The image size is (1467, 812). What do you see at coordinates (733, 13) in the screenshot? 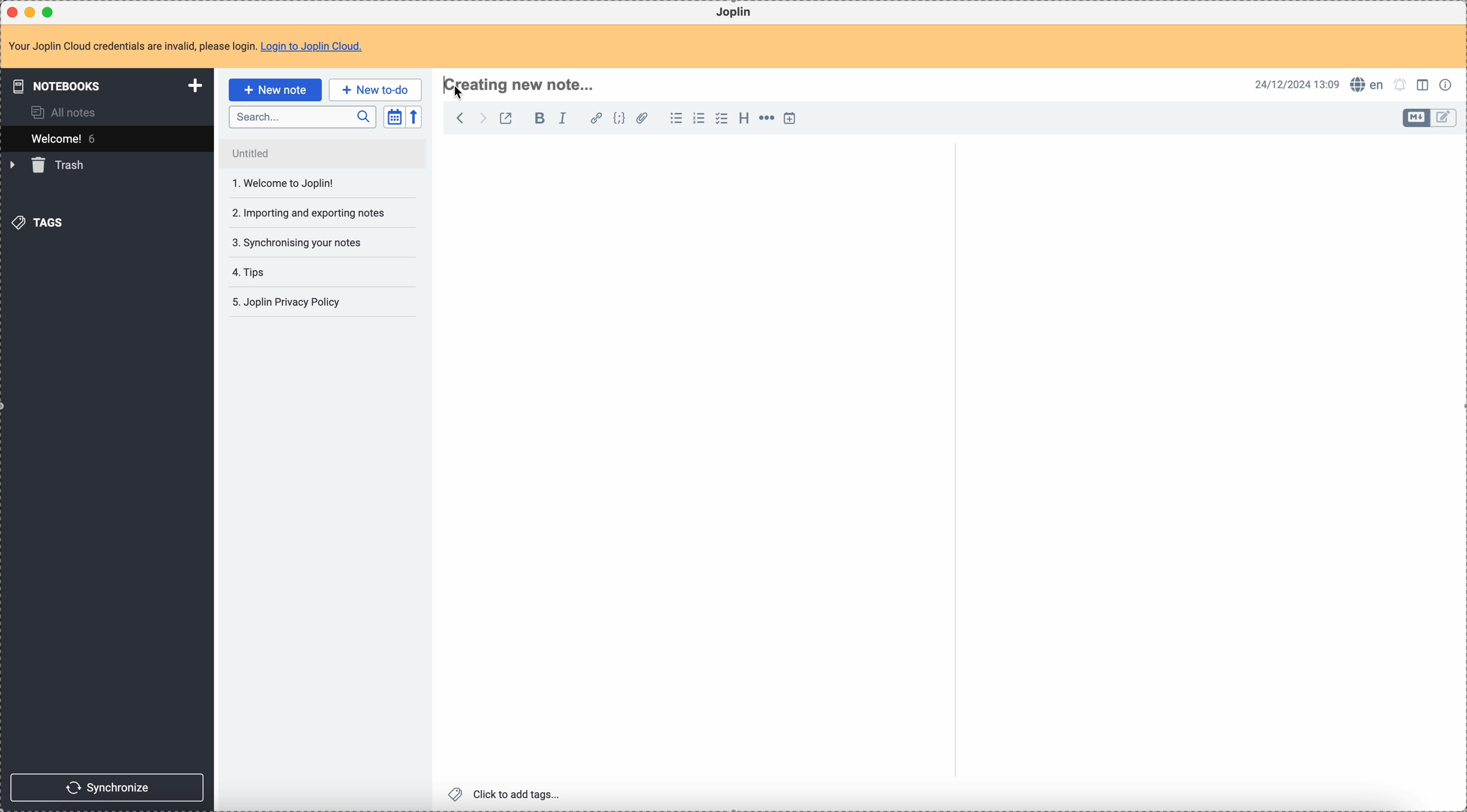
I see `Joplin` at bounding box center [733, 13].